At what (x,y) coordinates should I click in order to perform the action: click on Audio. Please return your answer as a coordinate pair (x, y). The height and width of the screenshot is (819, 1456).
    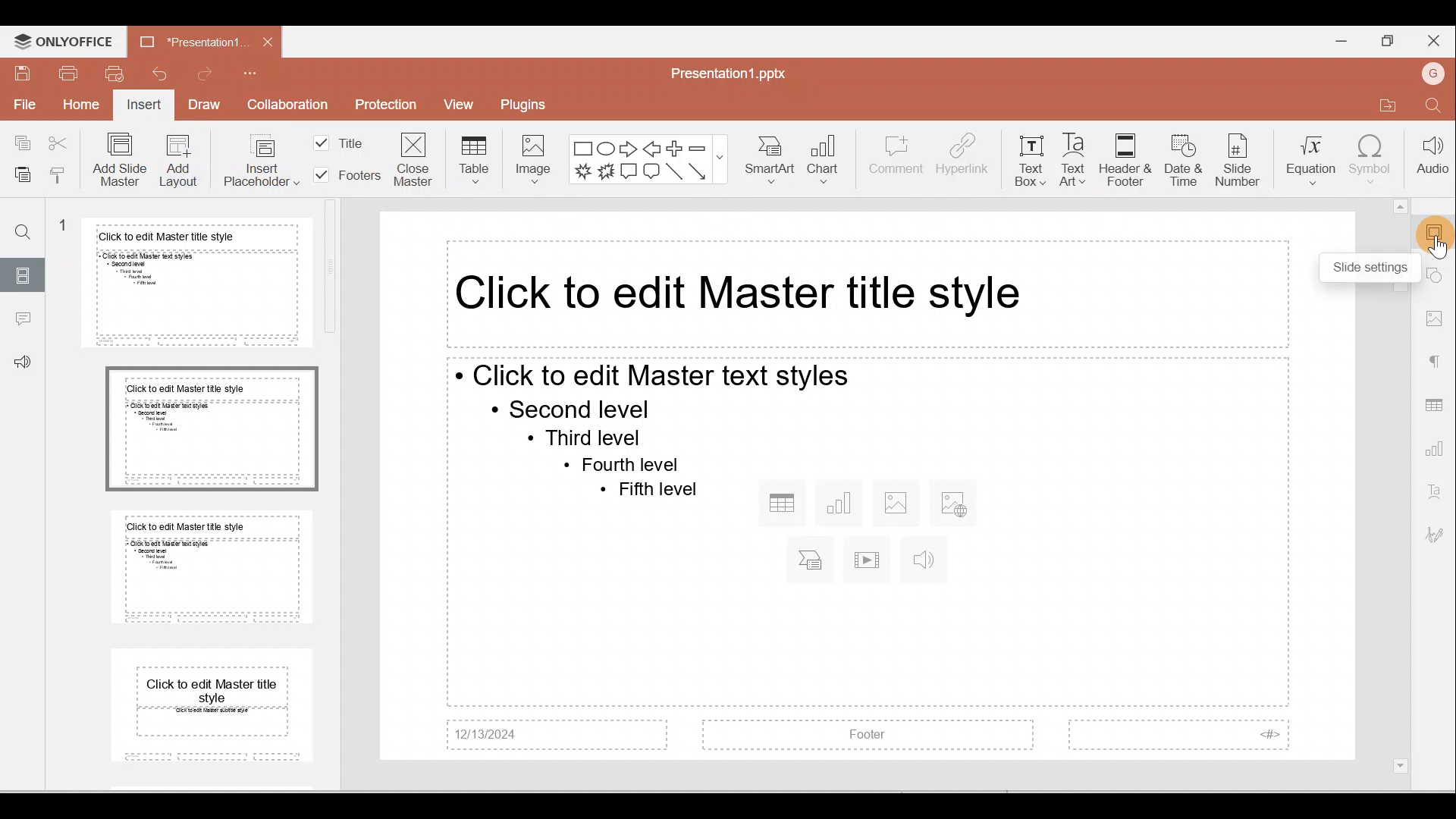
    Looking at the image, I should click on (1432, 159).